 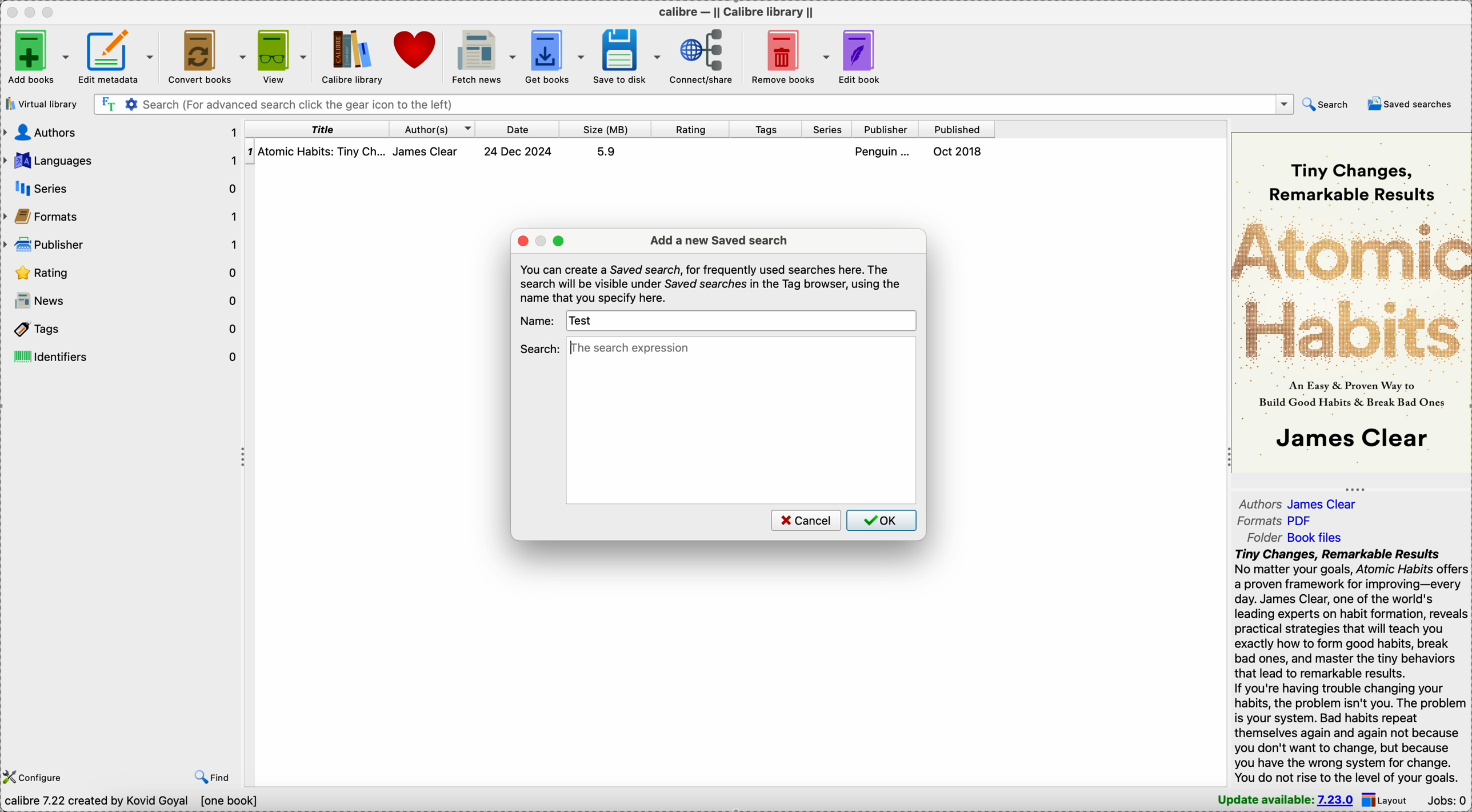 What do you see at coordinates (867, 56) in the screenshot?
I see `edit book` at bounding box center [867, 56].